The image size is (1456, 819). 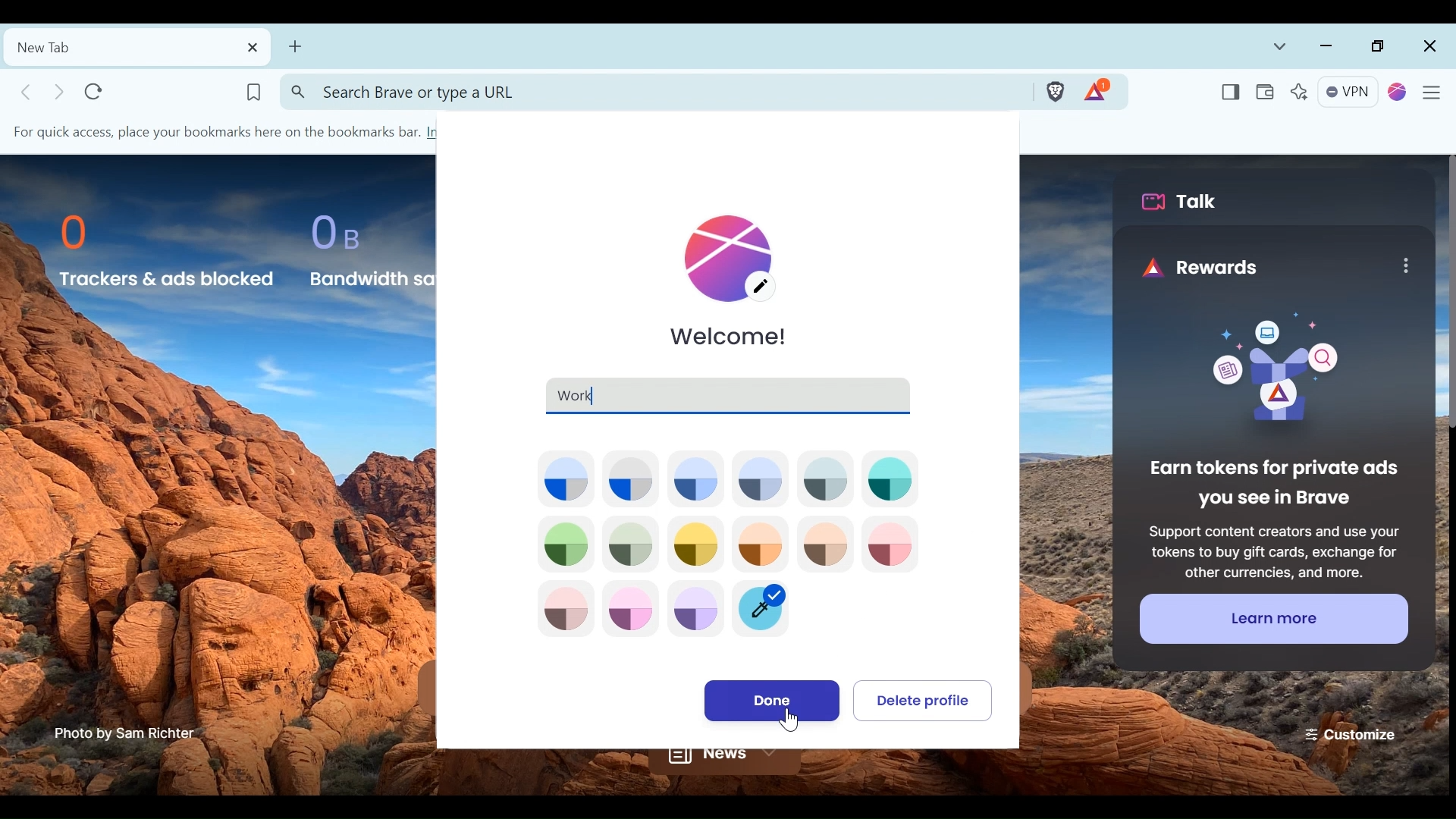 I want to click on welcome!, so click(x=727, y=337).